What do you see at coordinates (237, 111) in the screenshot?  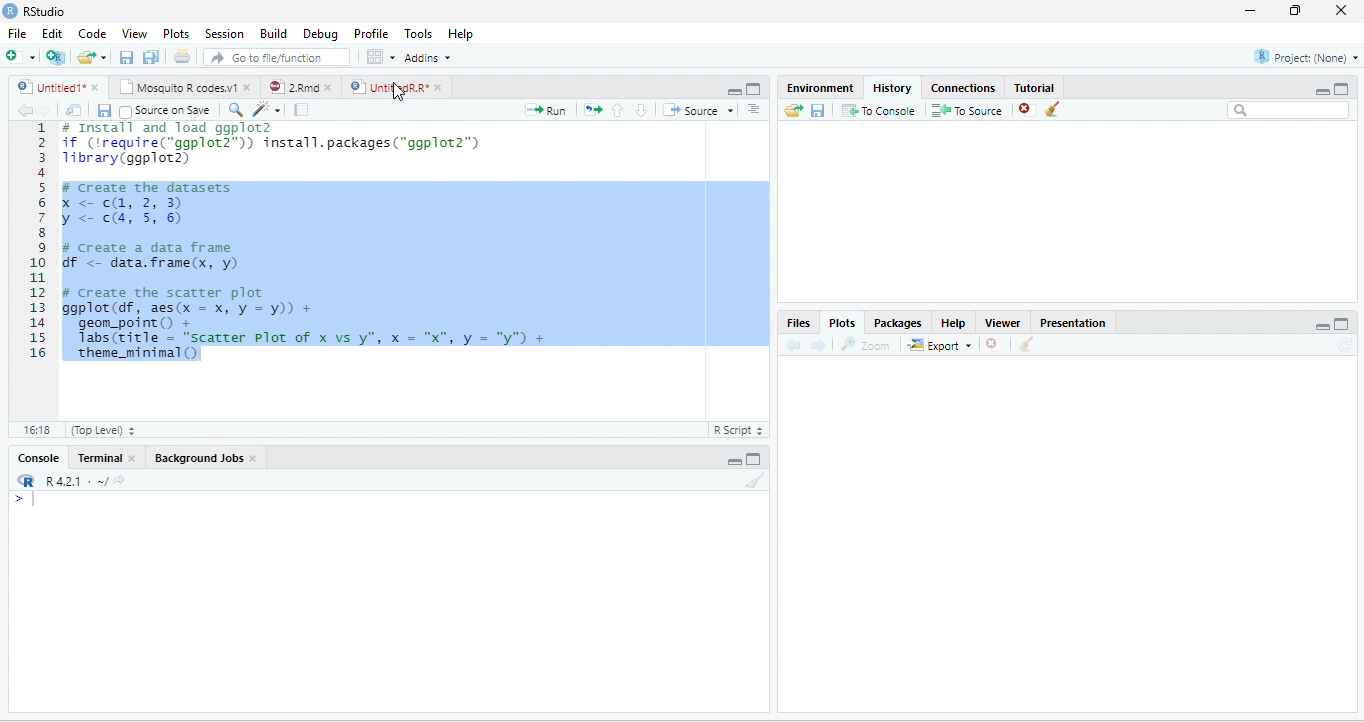 I see `Find/Replace` at bounding box center [237, 111].